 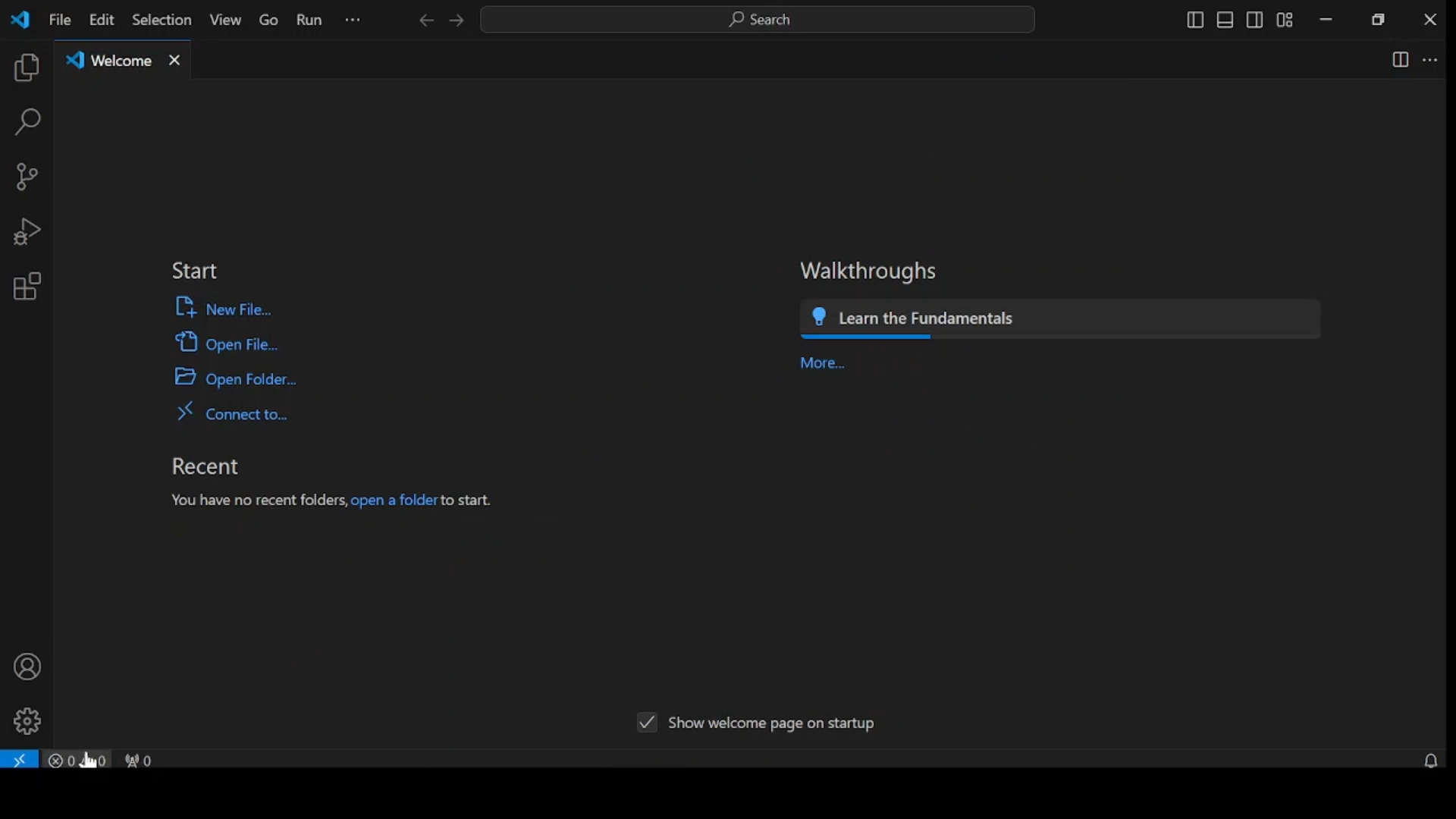 I want to click on view, so click(x=223, y=20).